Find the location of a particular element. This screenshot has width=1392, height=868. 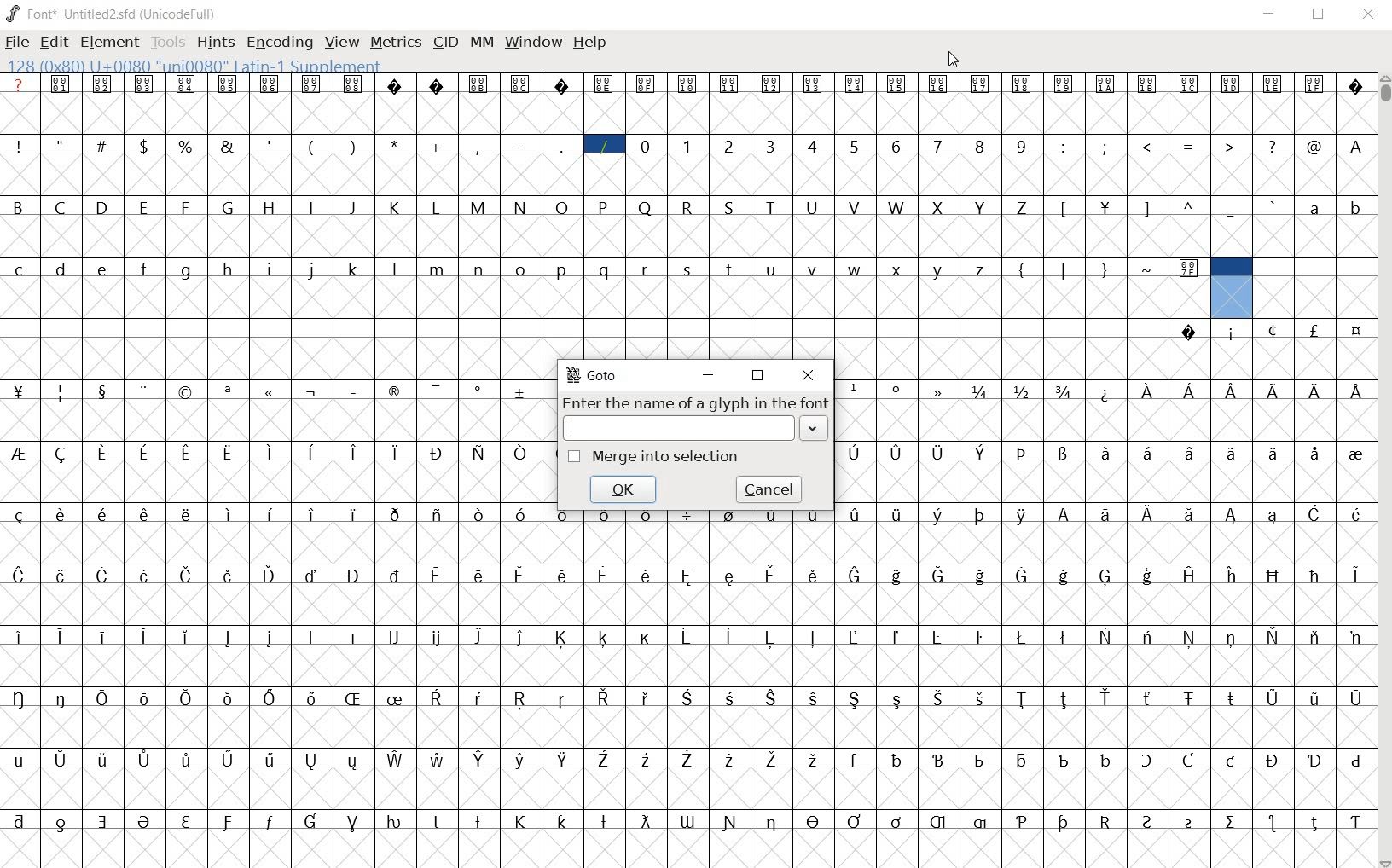

Symbol is located at coordinates (229, 84).